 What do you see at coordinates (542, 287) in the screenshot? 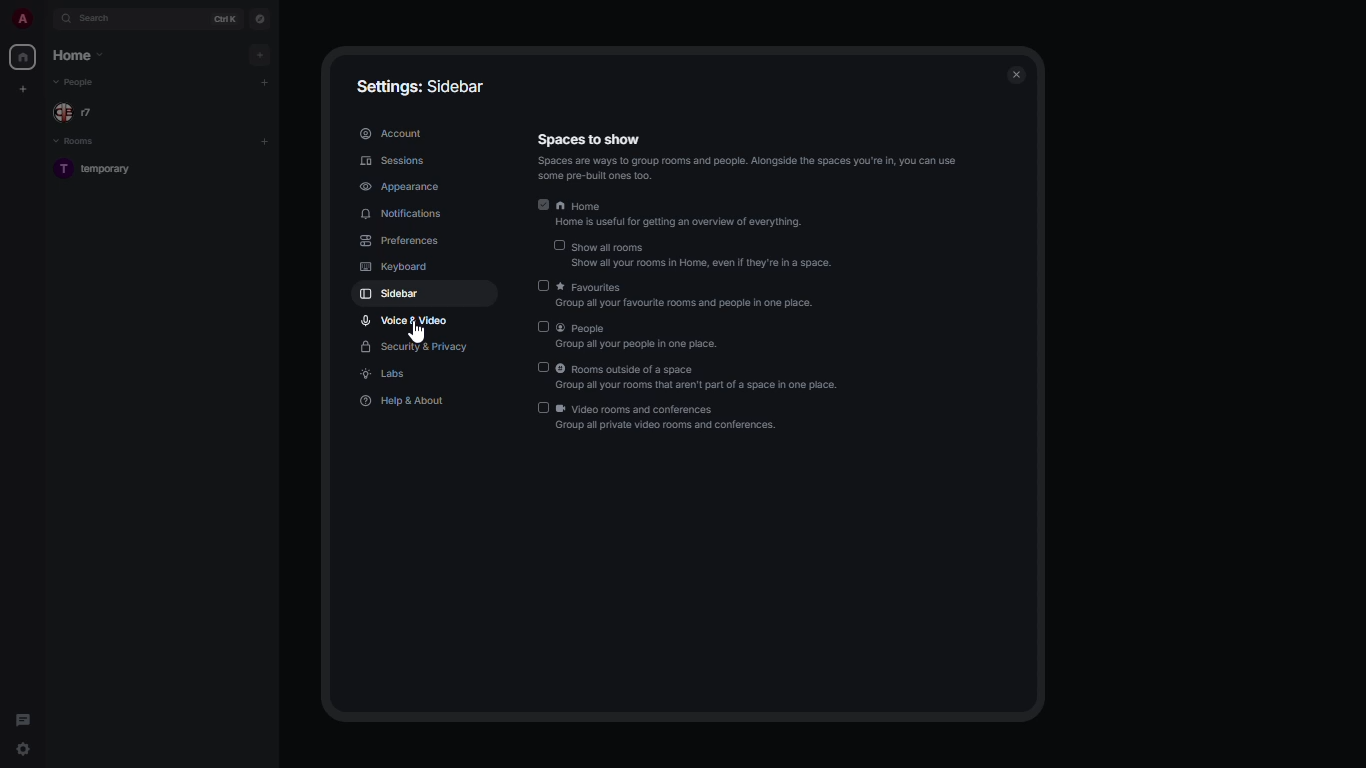
I see `disabled` at bounding box center [542, 287].